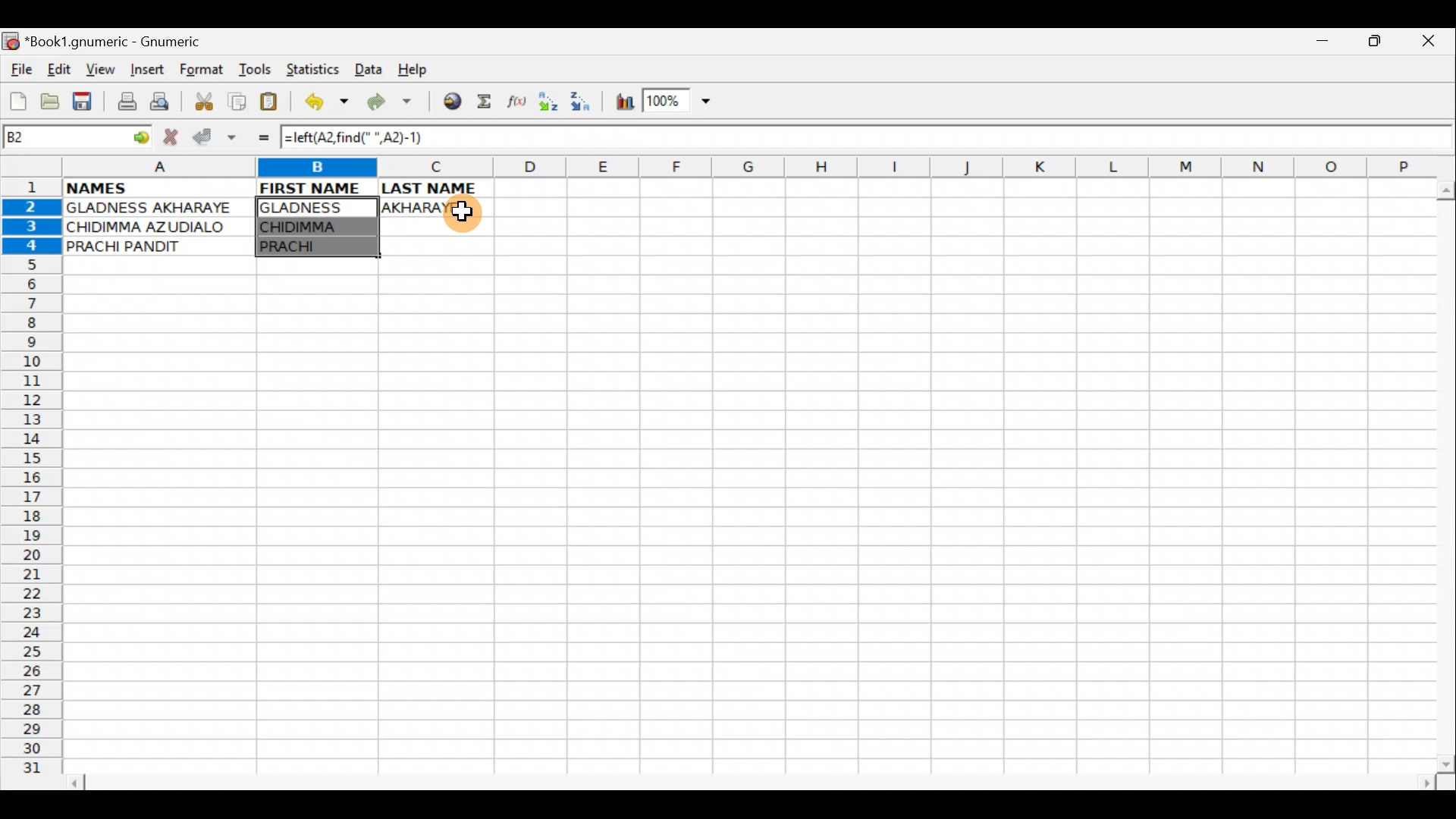  Describe the element at coordinates (393, 104) in the screenshot. I see `Redo undone action` at that location.